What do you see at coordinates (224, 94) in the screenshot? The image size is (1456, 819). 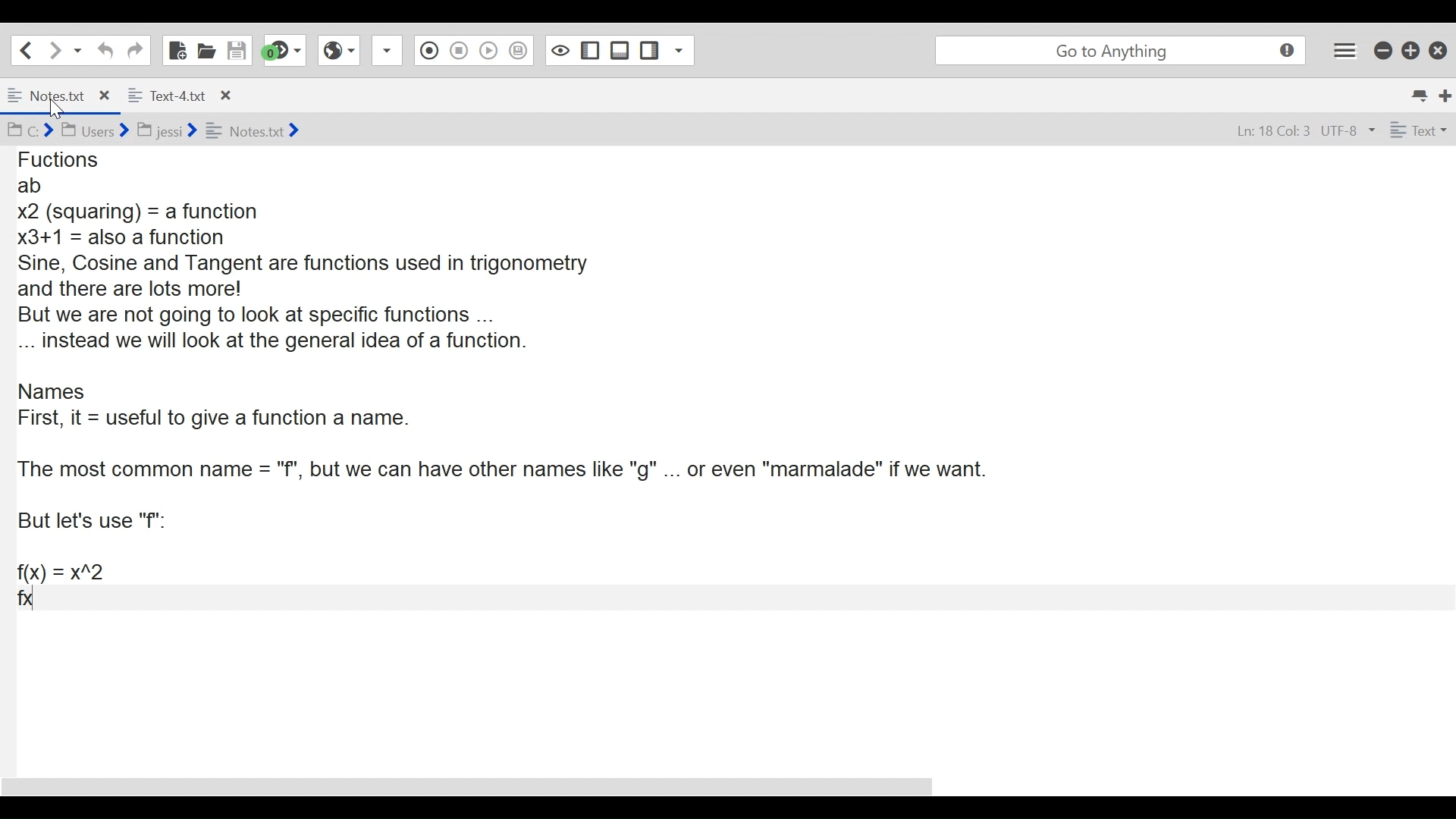 I see `close` at bounding box center [224, 94].